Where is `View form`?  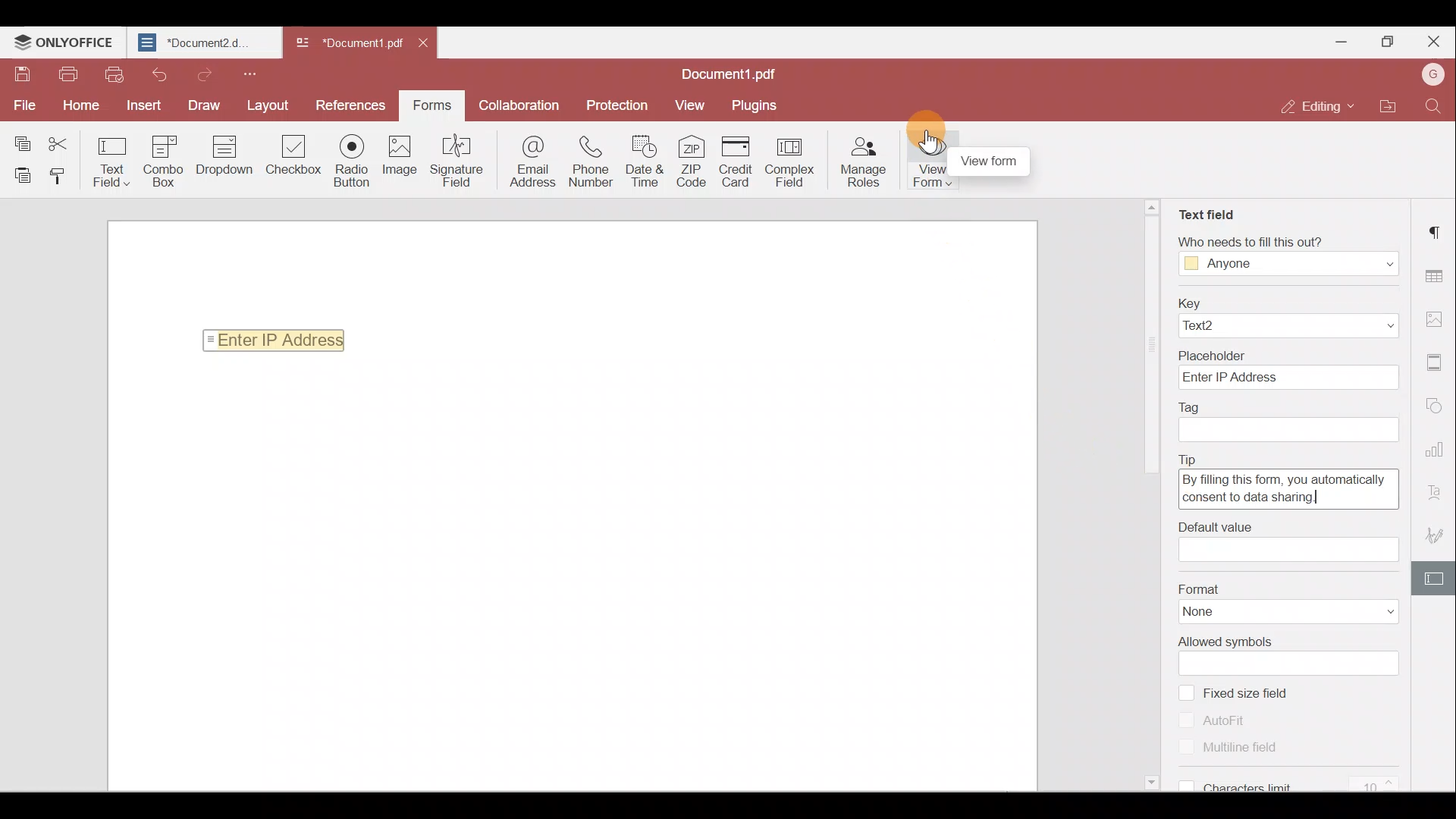
View form is located at coordinates (928, 165).